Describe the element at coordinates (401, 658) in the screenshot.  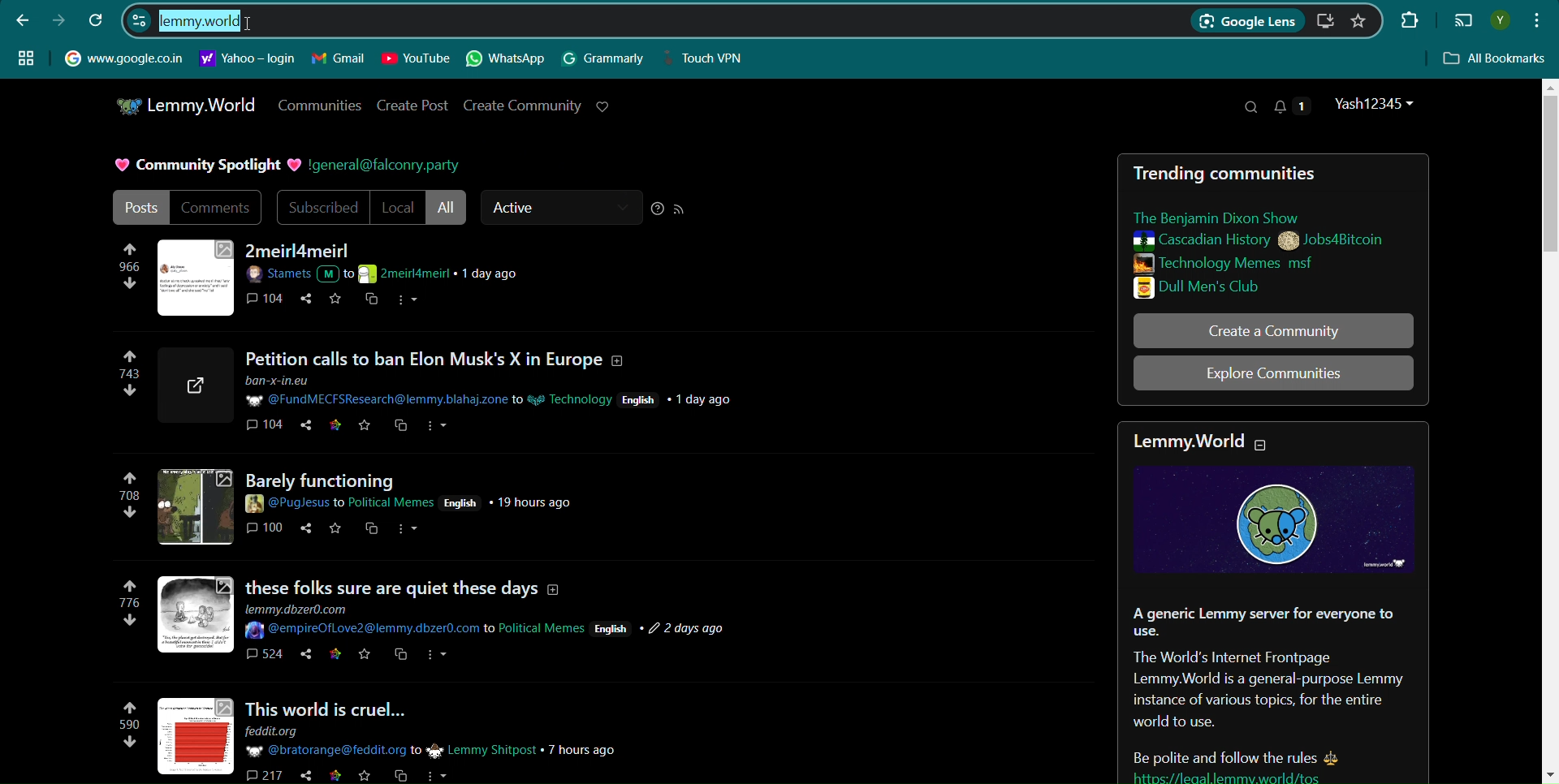
I see `copy` at that location.